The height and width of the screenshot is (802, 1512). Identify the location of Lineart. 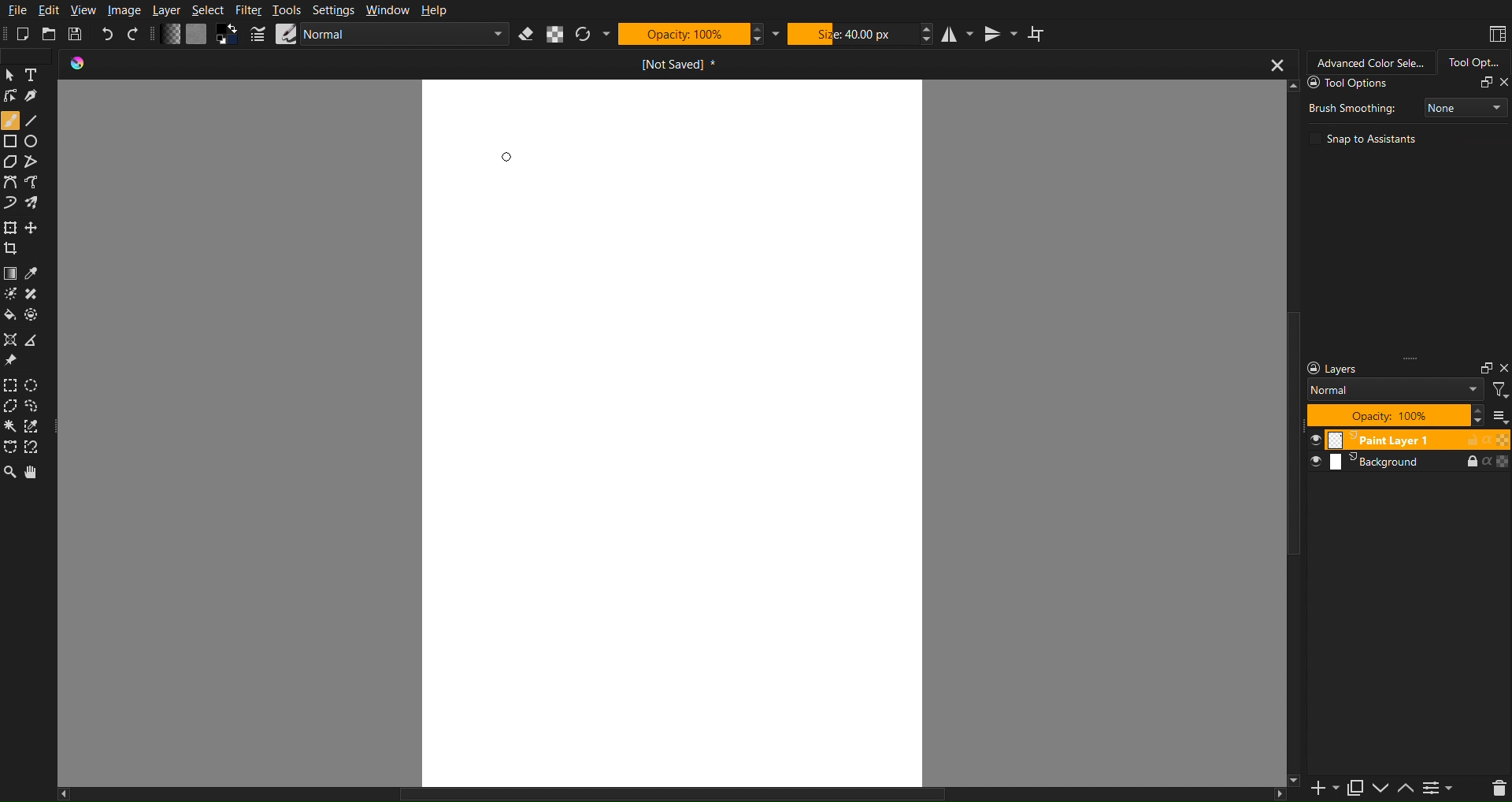
(37, 98).